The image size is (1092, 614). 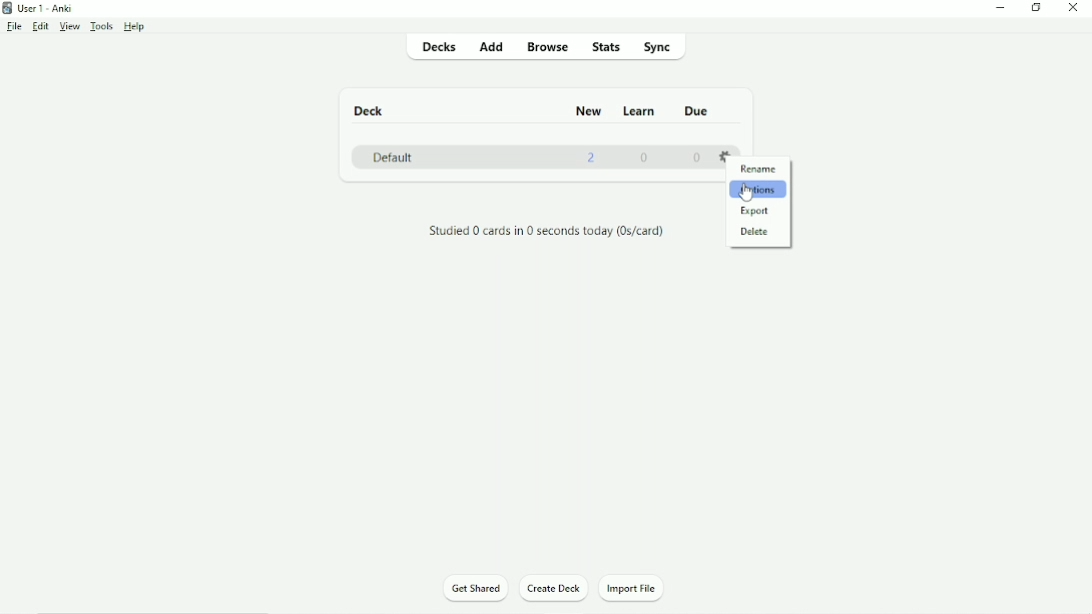 What do you see at coordinates (103, 26) in the screenshot?
I see `Tools` at bounding box center [103, 26].